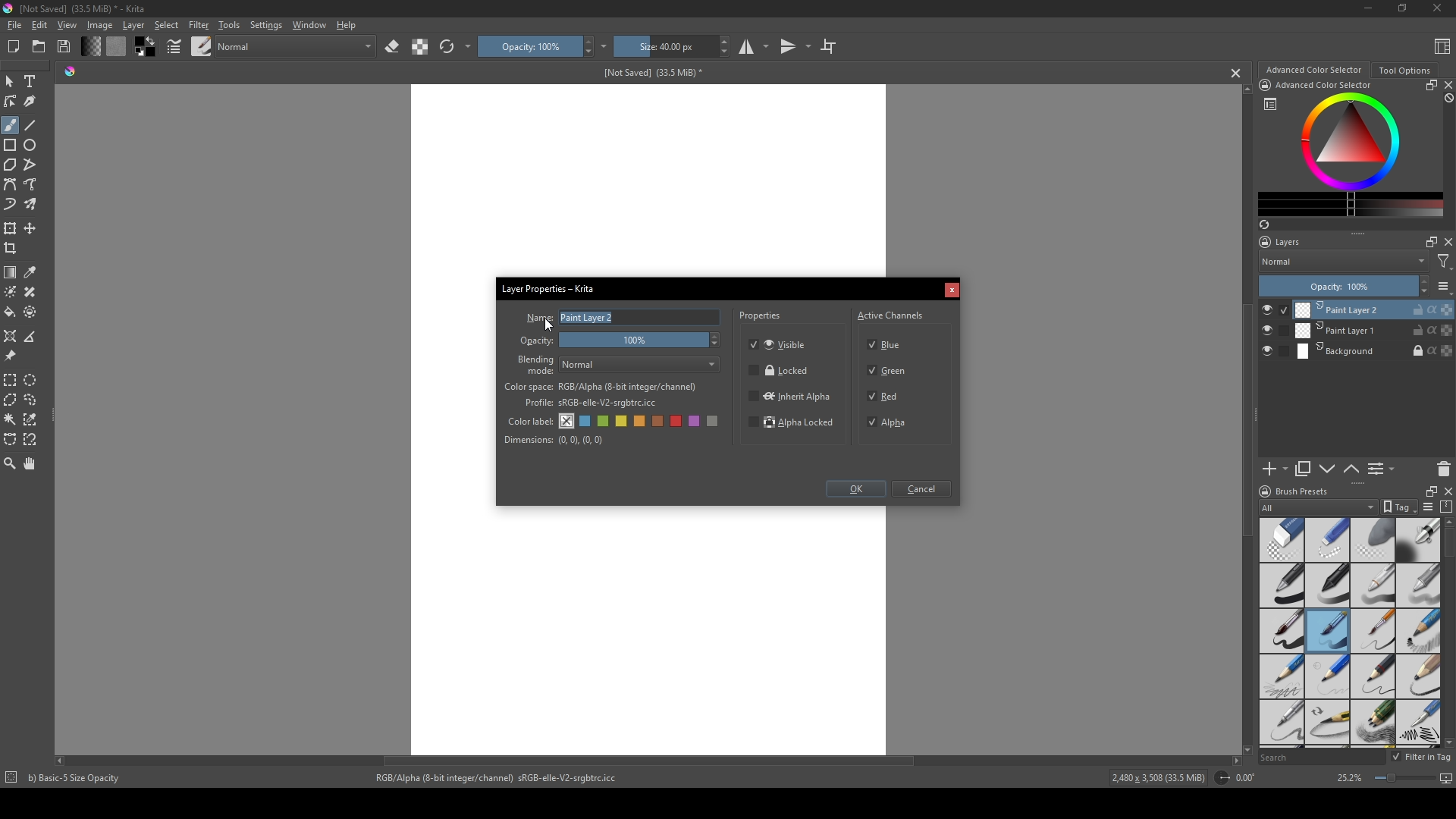  What do you see at coordinates (586, 422) in the screenshot?
I see `blue` at bounding box center [586, 422].